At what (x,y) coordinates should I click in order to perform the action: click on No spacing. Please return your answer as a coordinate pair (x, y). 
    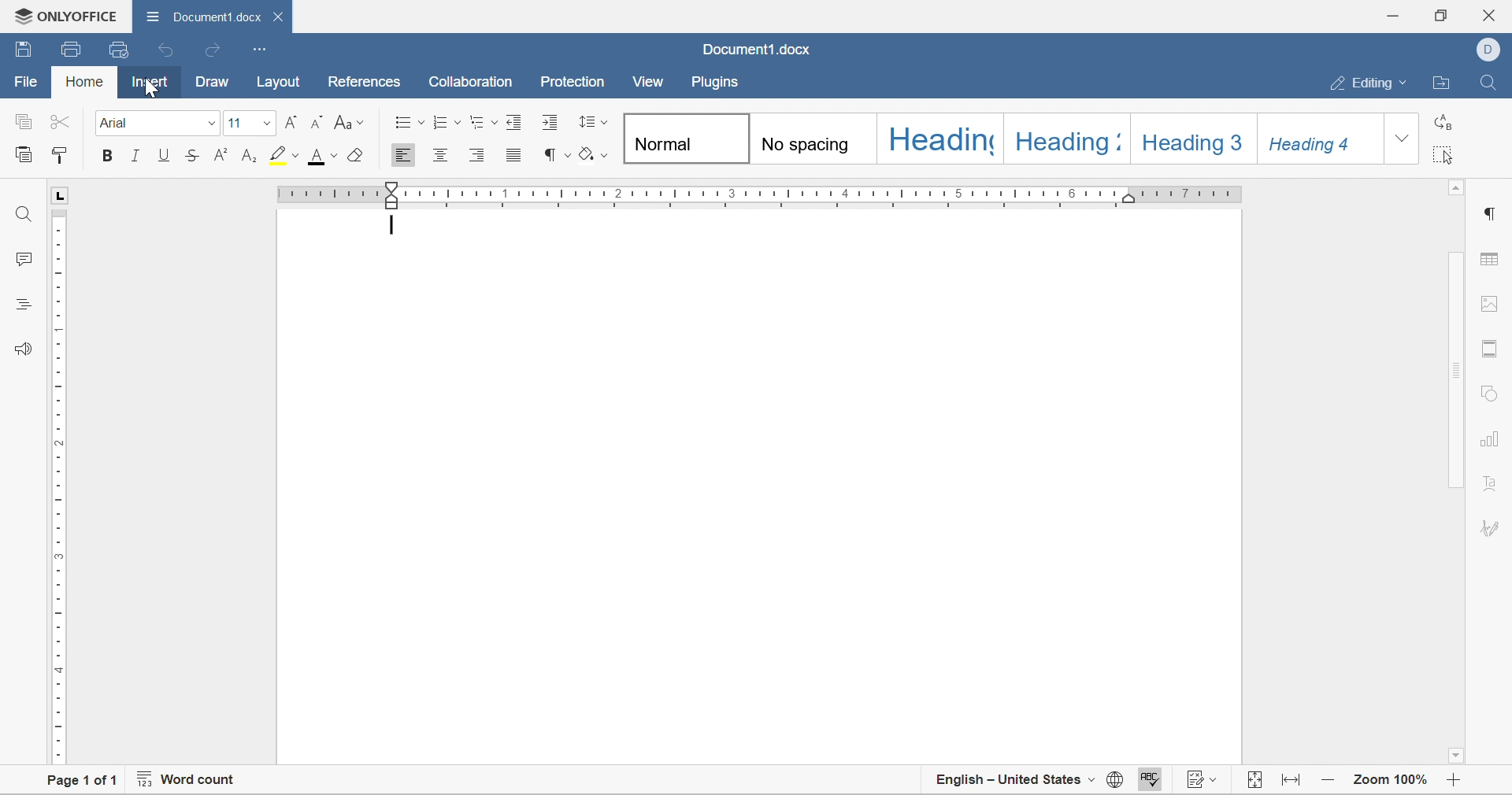
    Looking at the image, I should click on (815, 140).